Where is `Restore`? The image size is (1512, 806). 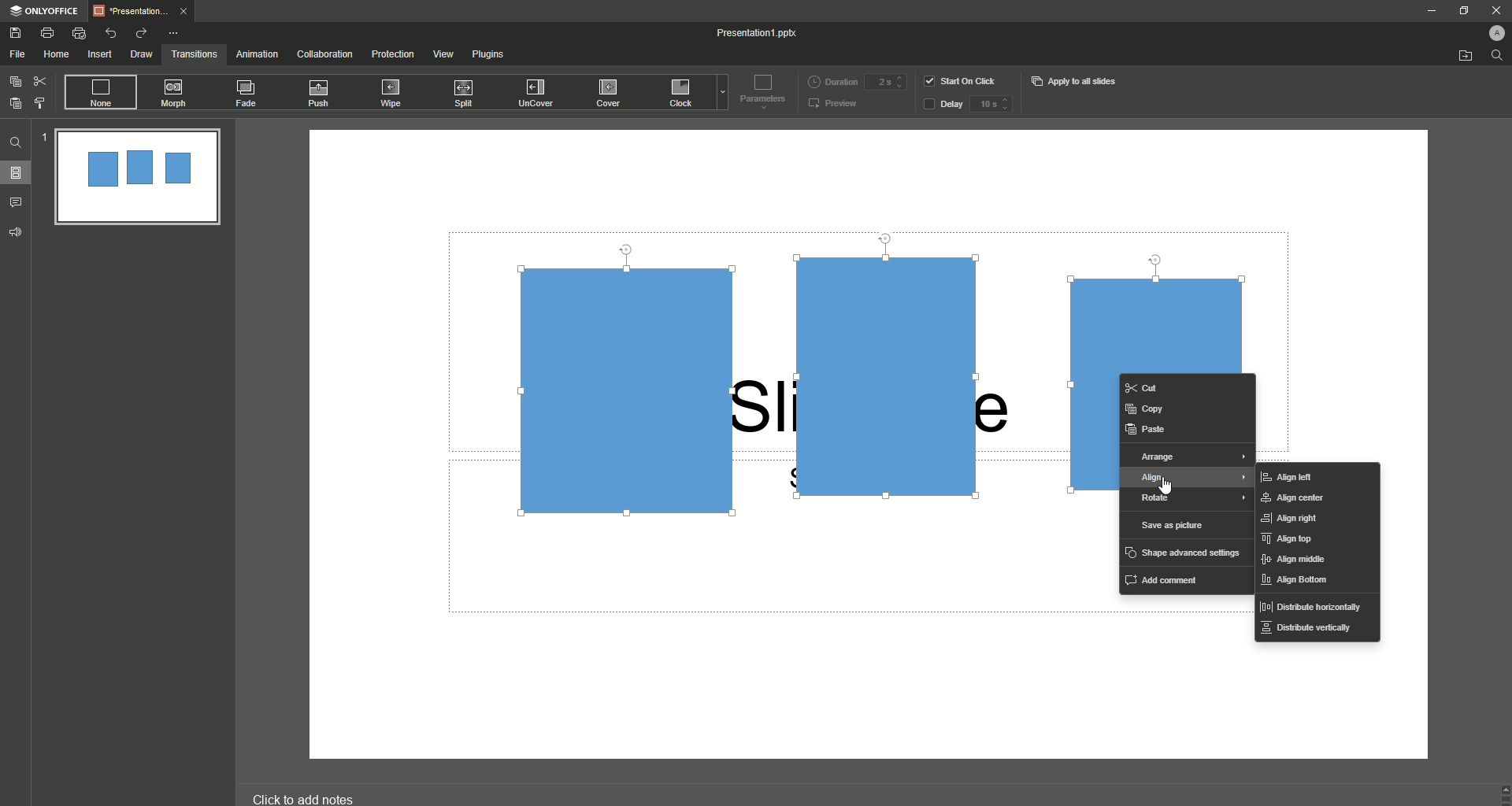
Restore is located at coordinates (1460, 11).